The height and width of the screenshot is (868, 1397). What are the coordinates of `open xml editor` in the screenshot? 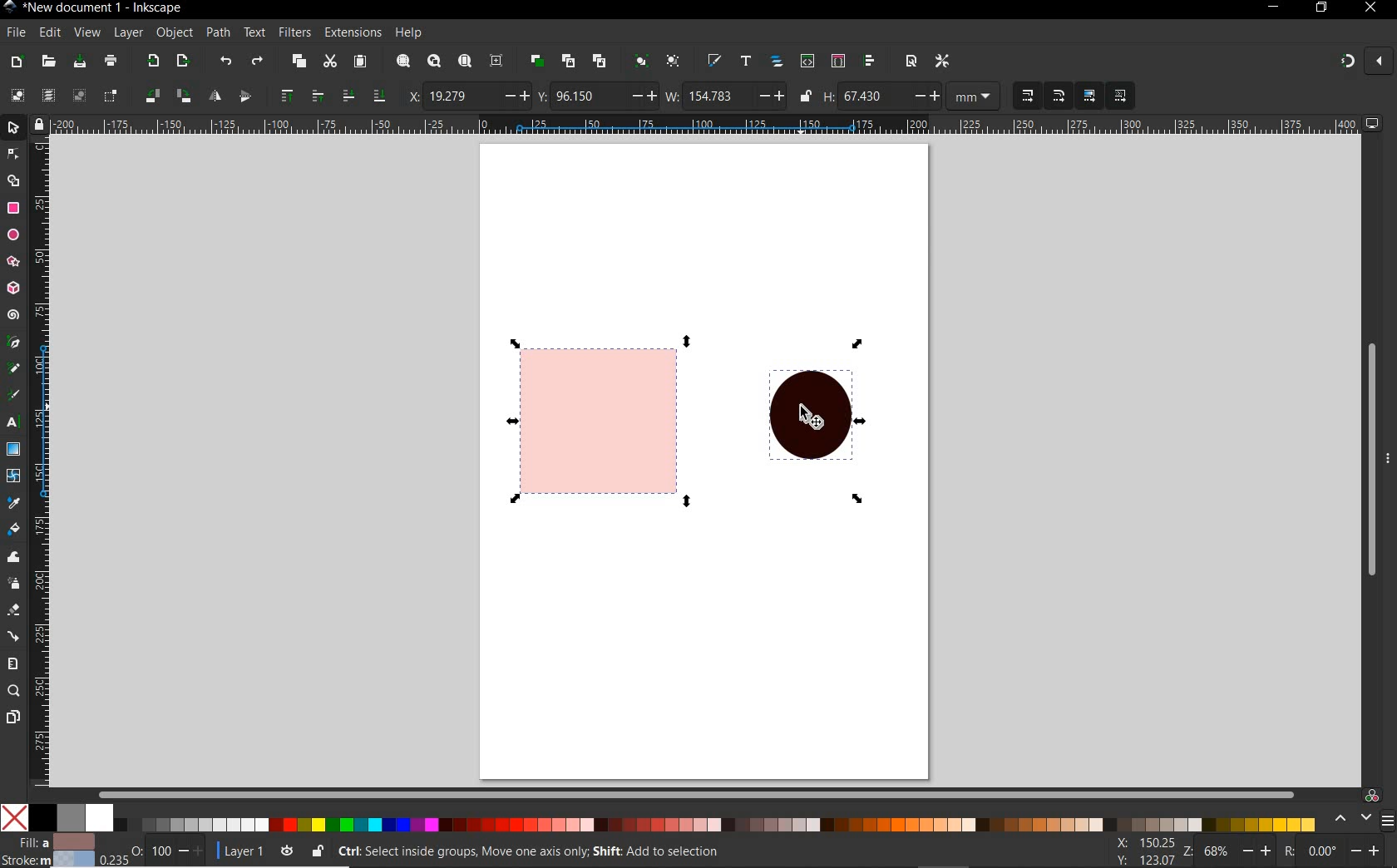 It's located at (807, 62).